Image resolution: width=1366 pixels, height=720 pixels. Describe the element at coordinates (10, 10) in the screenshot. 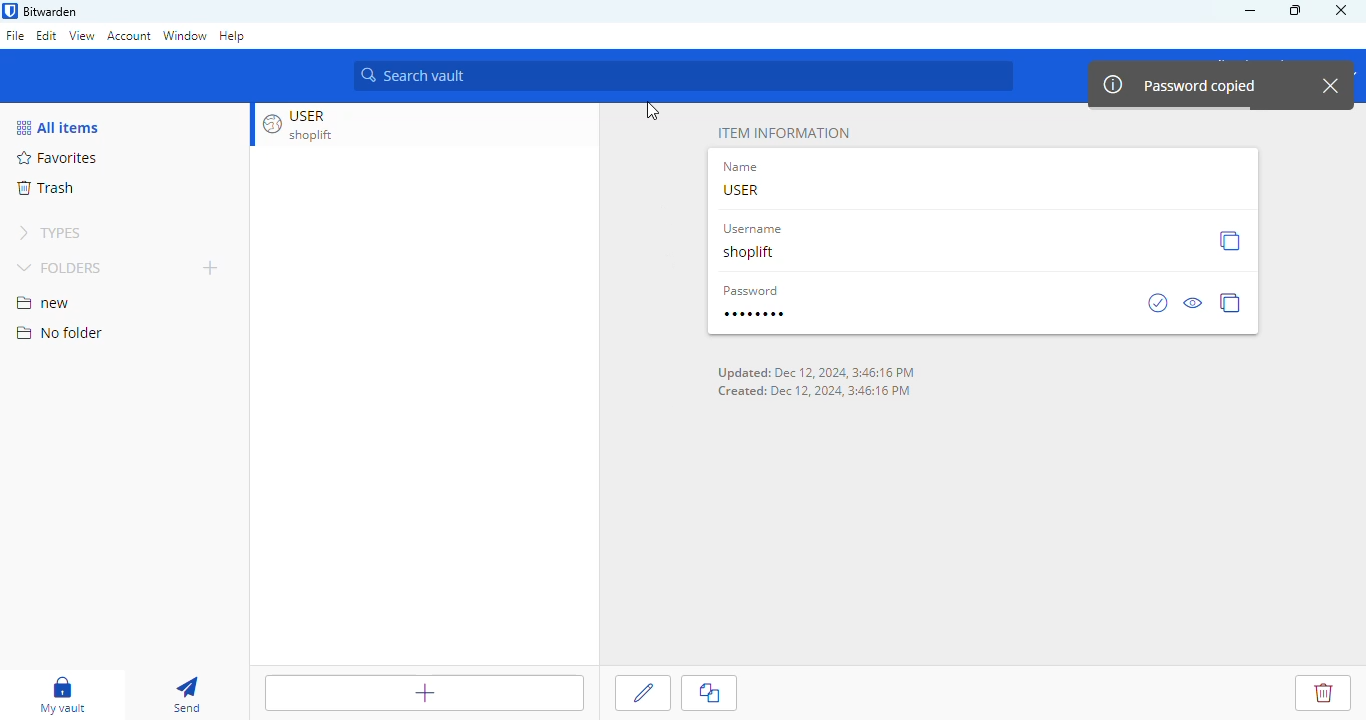

I see `logo` at that location.